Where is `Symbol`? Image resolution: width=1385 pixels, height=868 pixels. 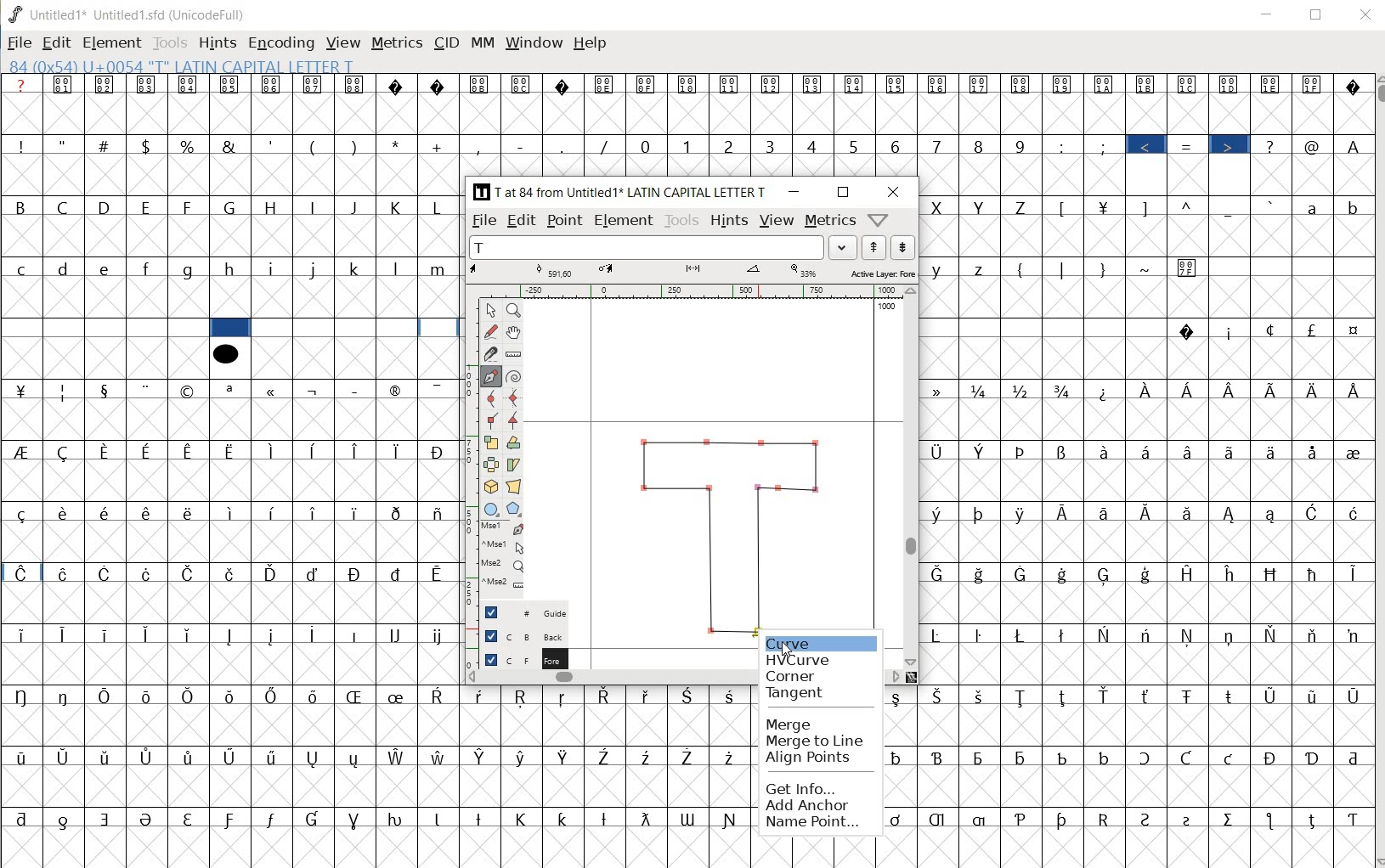
Symbol is located at coordinates (482, 817).